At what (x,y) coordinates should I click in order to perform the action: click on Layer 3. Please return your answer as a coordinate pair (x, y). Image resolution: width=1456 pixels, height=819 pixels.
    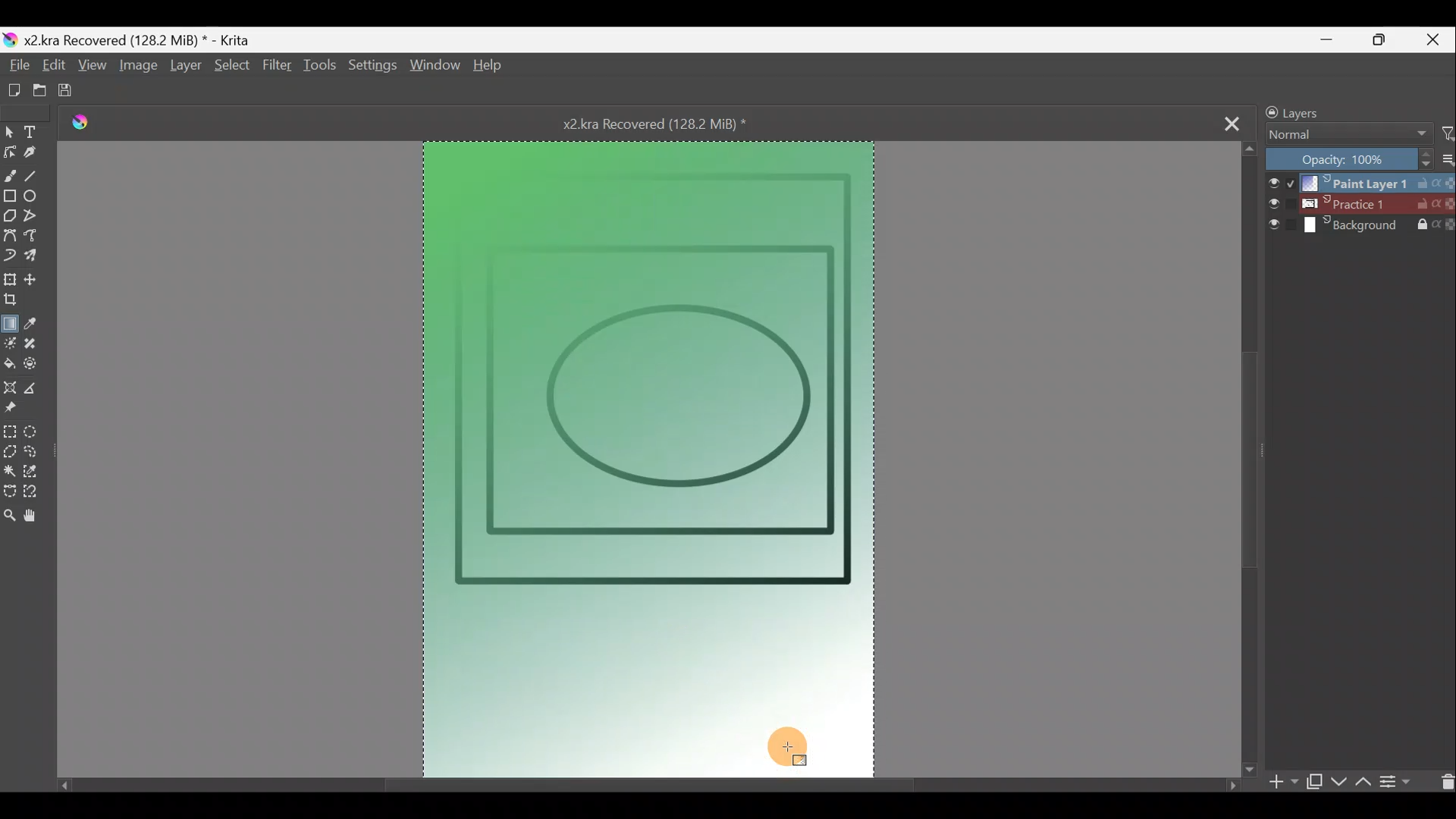
    Looking at the image, I should click on (1360, 227).